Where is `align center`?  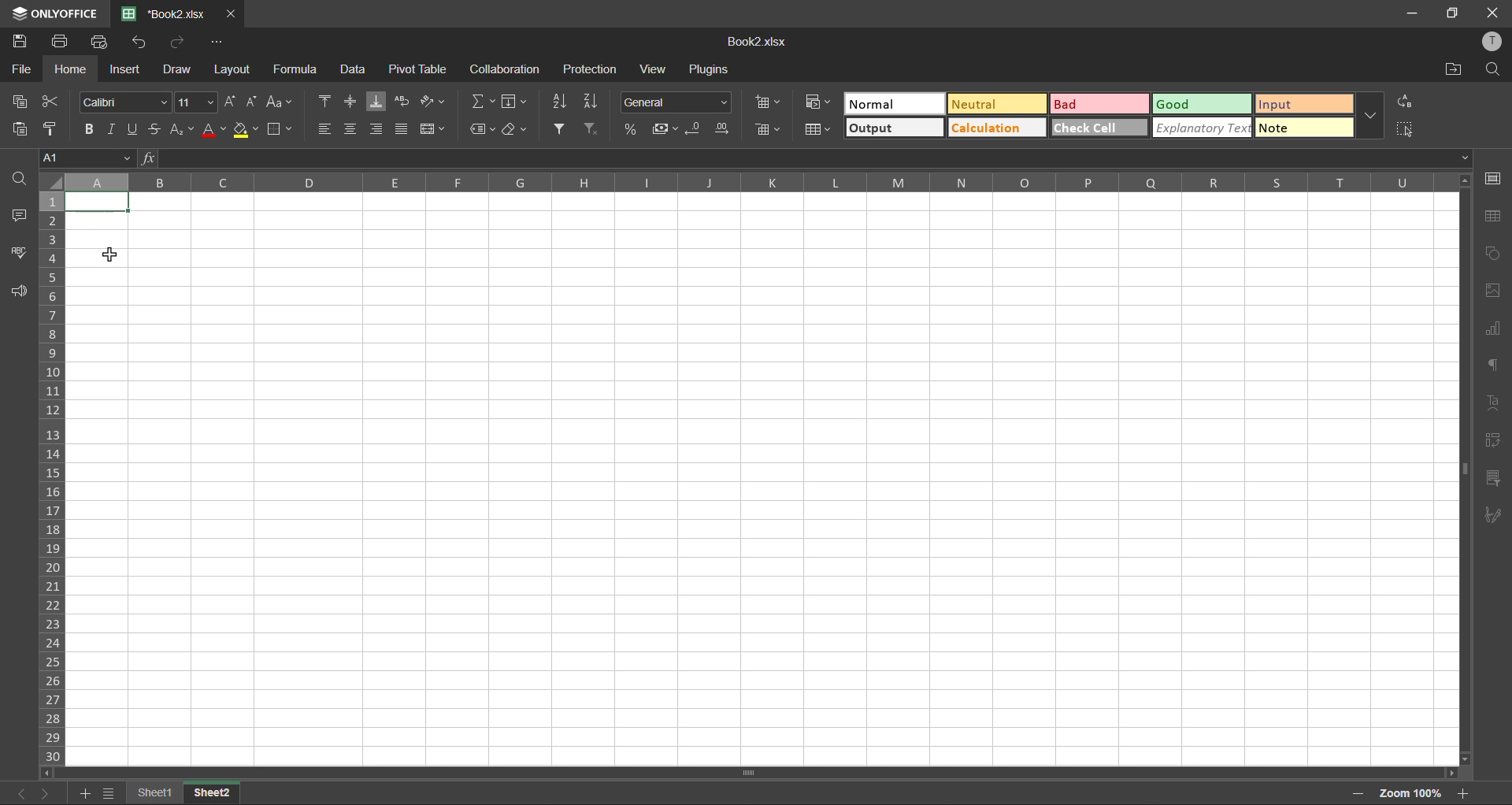
align center is located at coordinates (350, 127).